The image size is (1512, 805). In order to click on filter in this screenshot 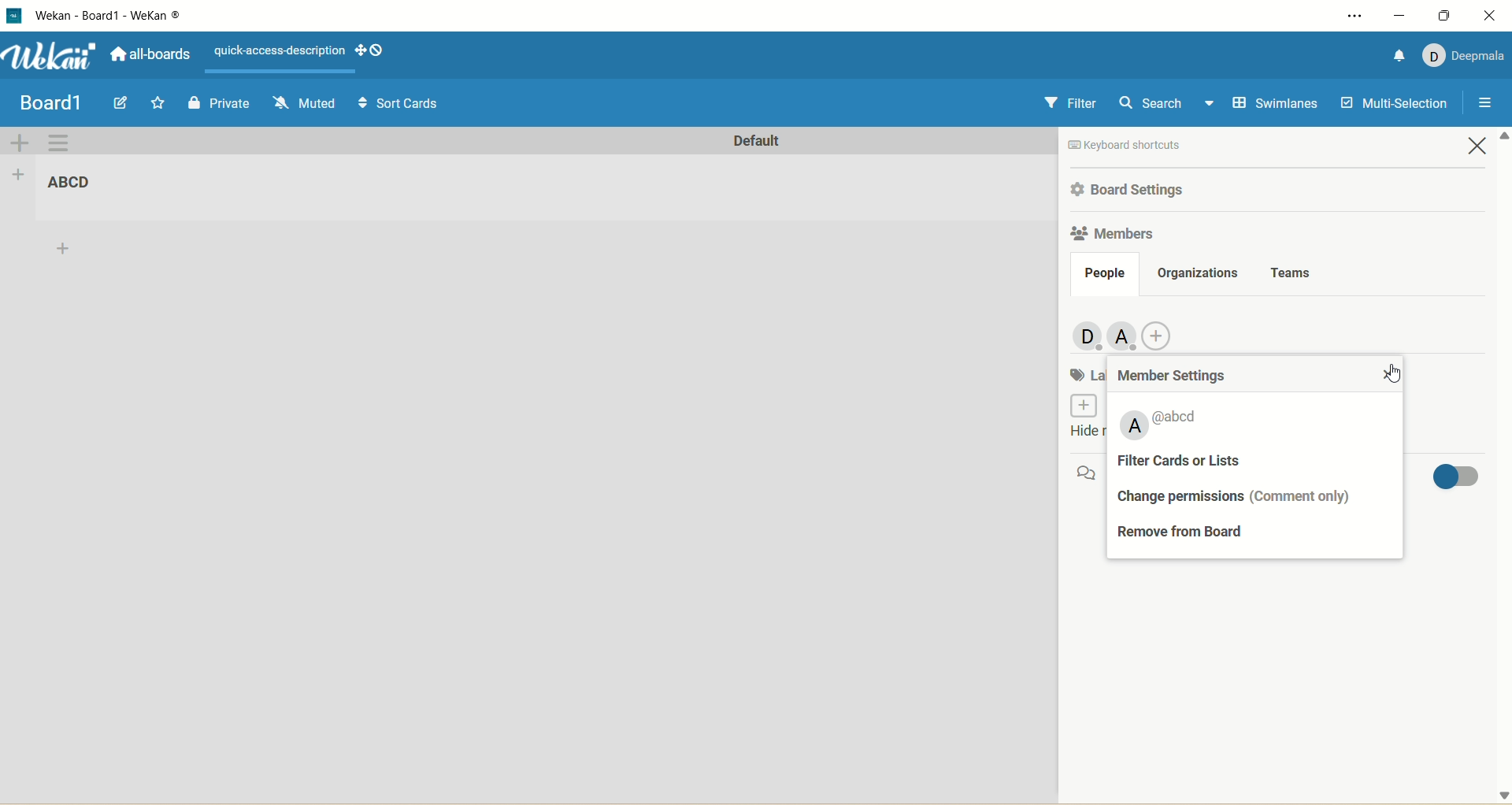, I will do `click(1069, 104)`.